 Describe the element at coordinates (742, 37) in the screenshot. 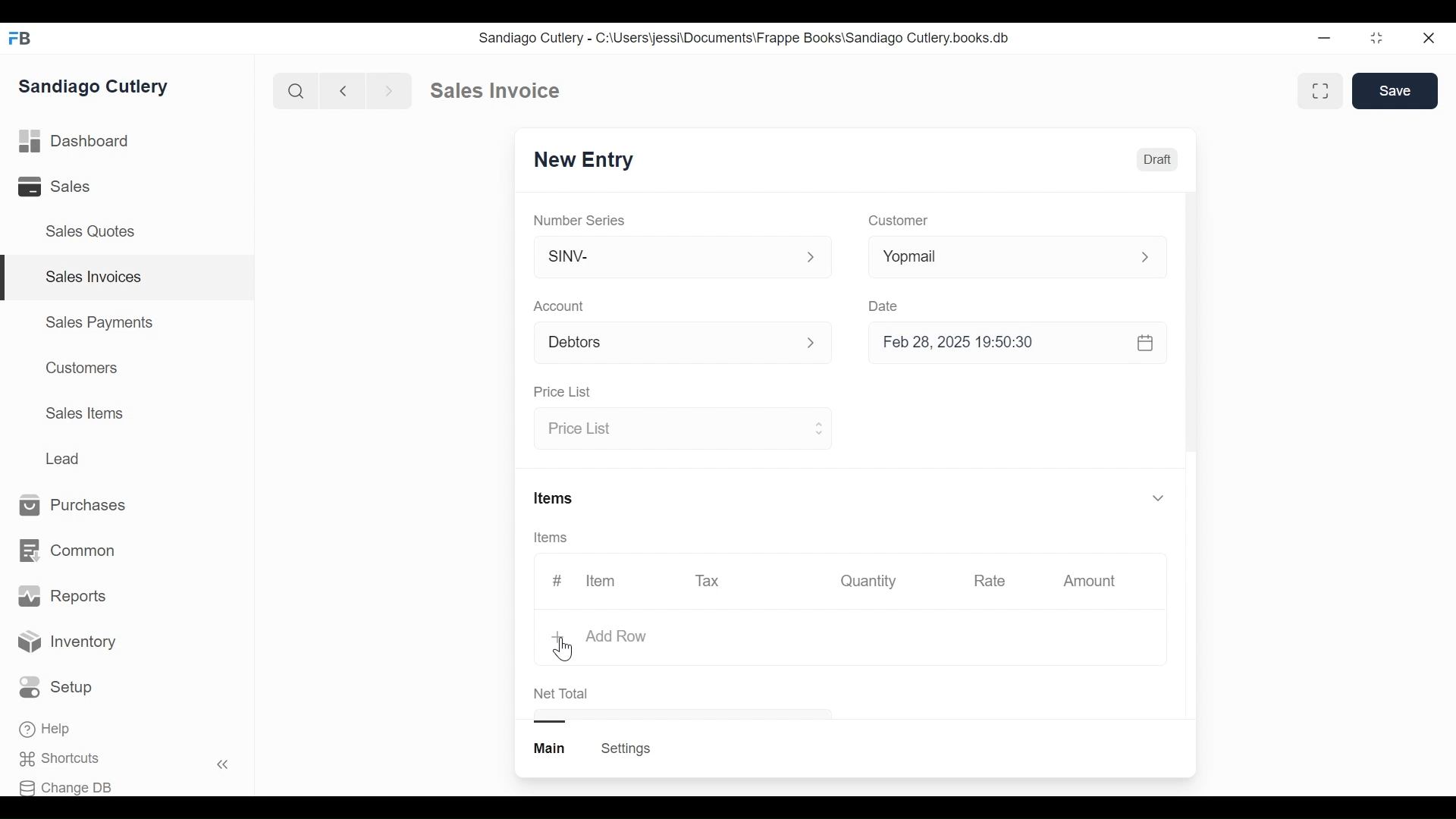

I see `Sandiago Cutlery - C:\Users\jessi\Documents\Frappe Books\Sandiago Cutlery.books.db` at that location.